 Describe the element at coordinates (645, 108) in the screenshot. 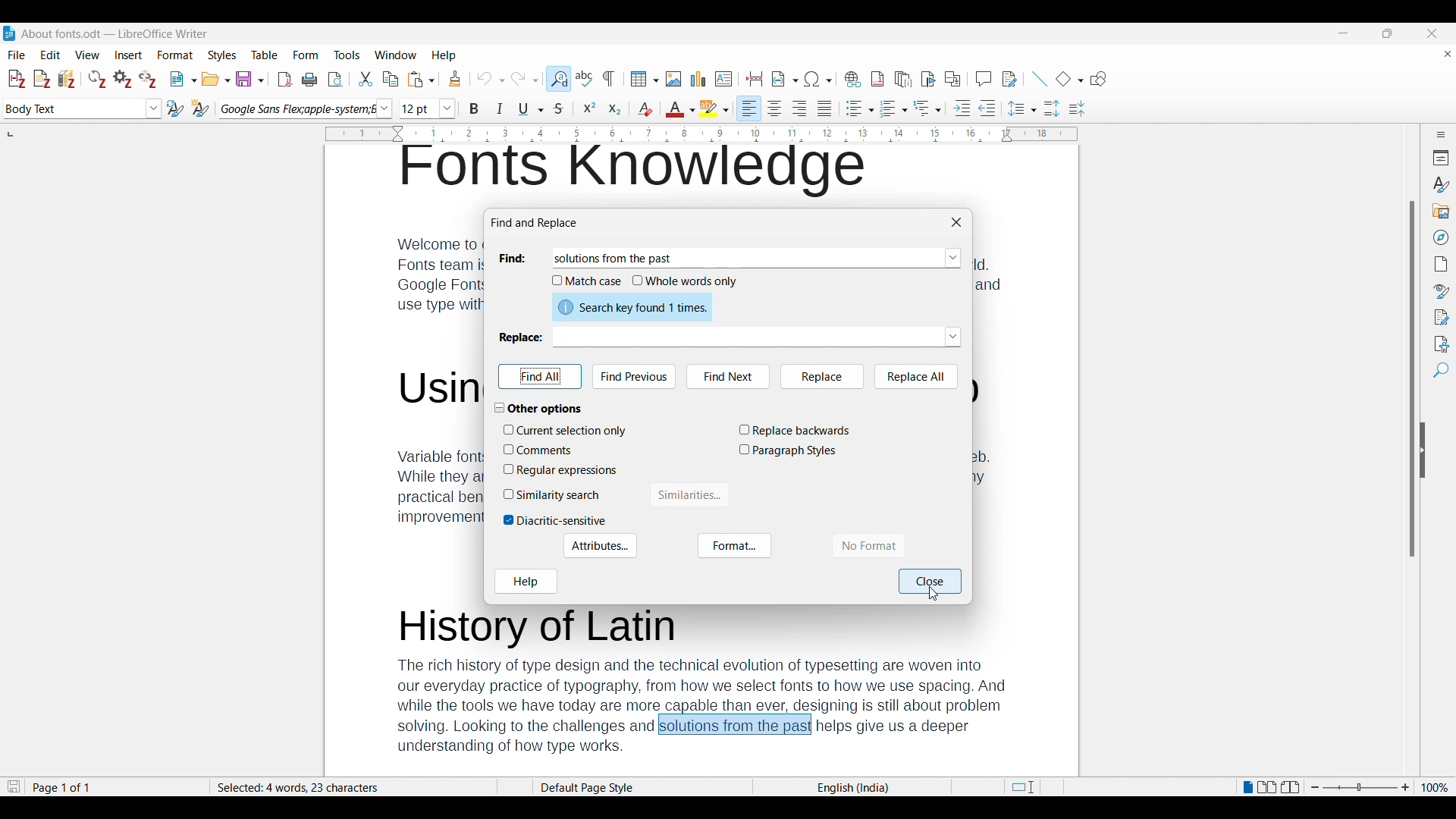

I see `Clear direct formatting` at that location.